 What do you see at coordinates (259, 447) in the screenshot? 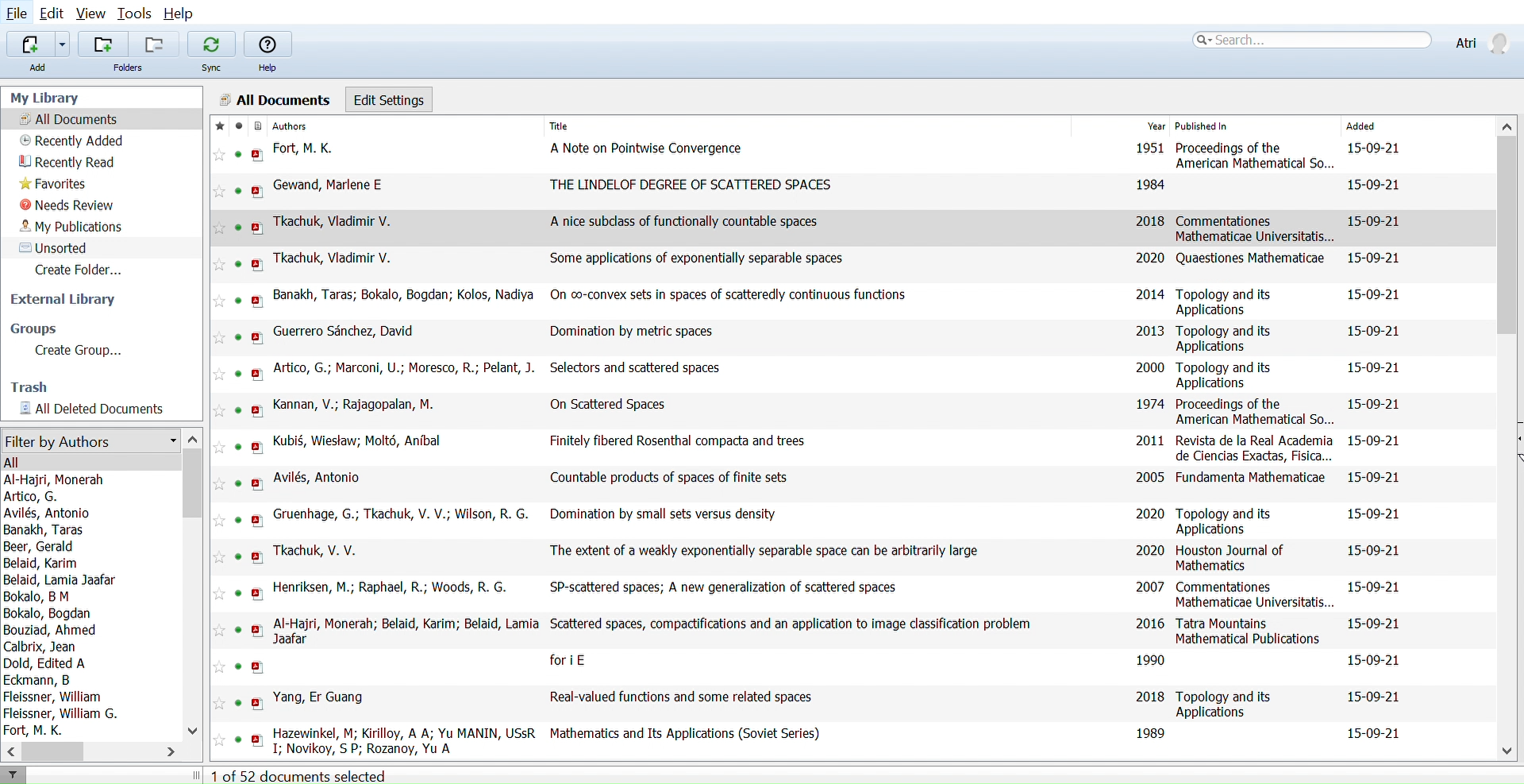
I see `open PDF` at bounding box center [259, 447].